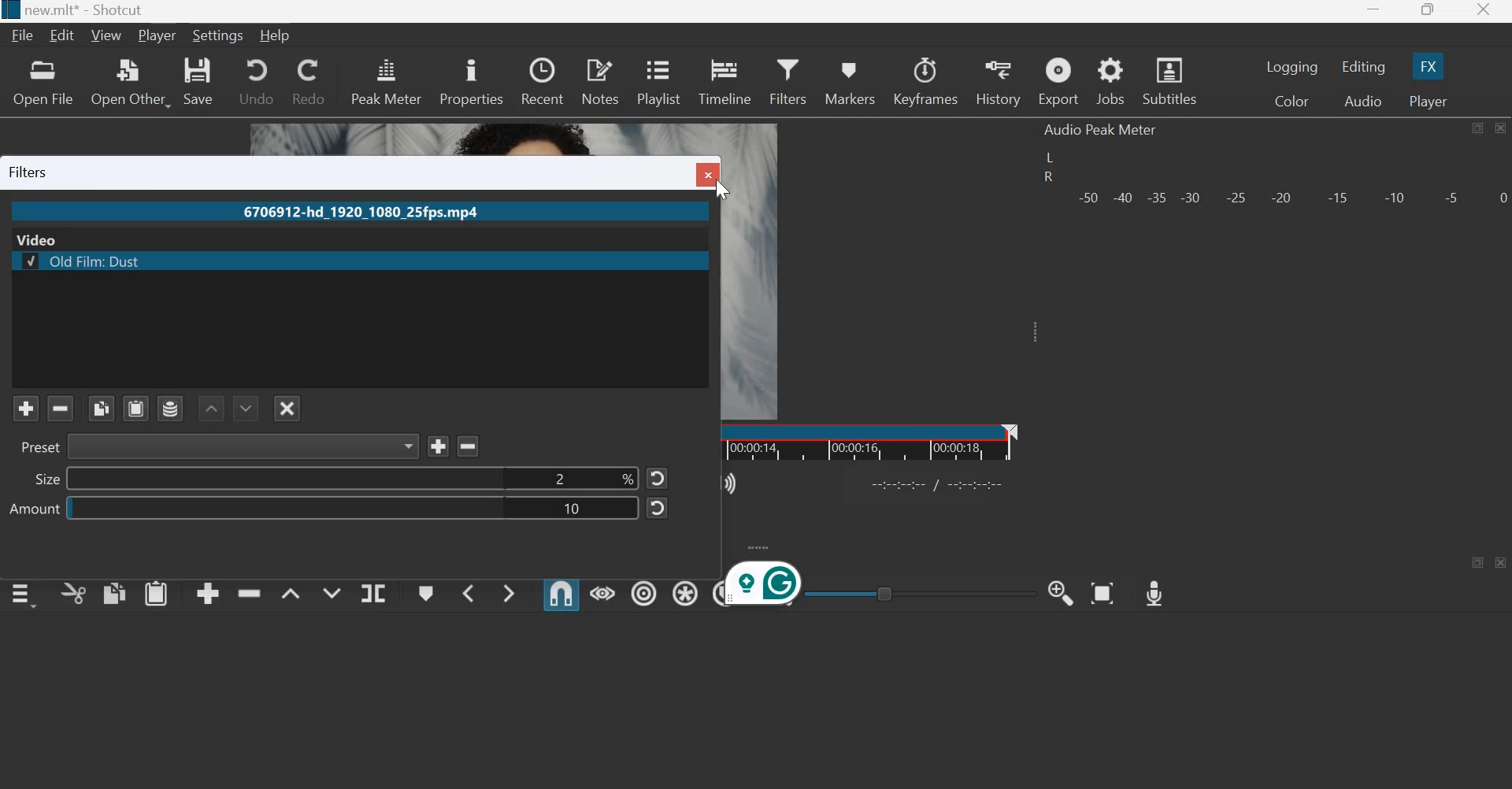 This screenshot has height=789, width=1512. Describe the element at coordinates (787, 79) in the screenshot. I see `Filters` at that location.